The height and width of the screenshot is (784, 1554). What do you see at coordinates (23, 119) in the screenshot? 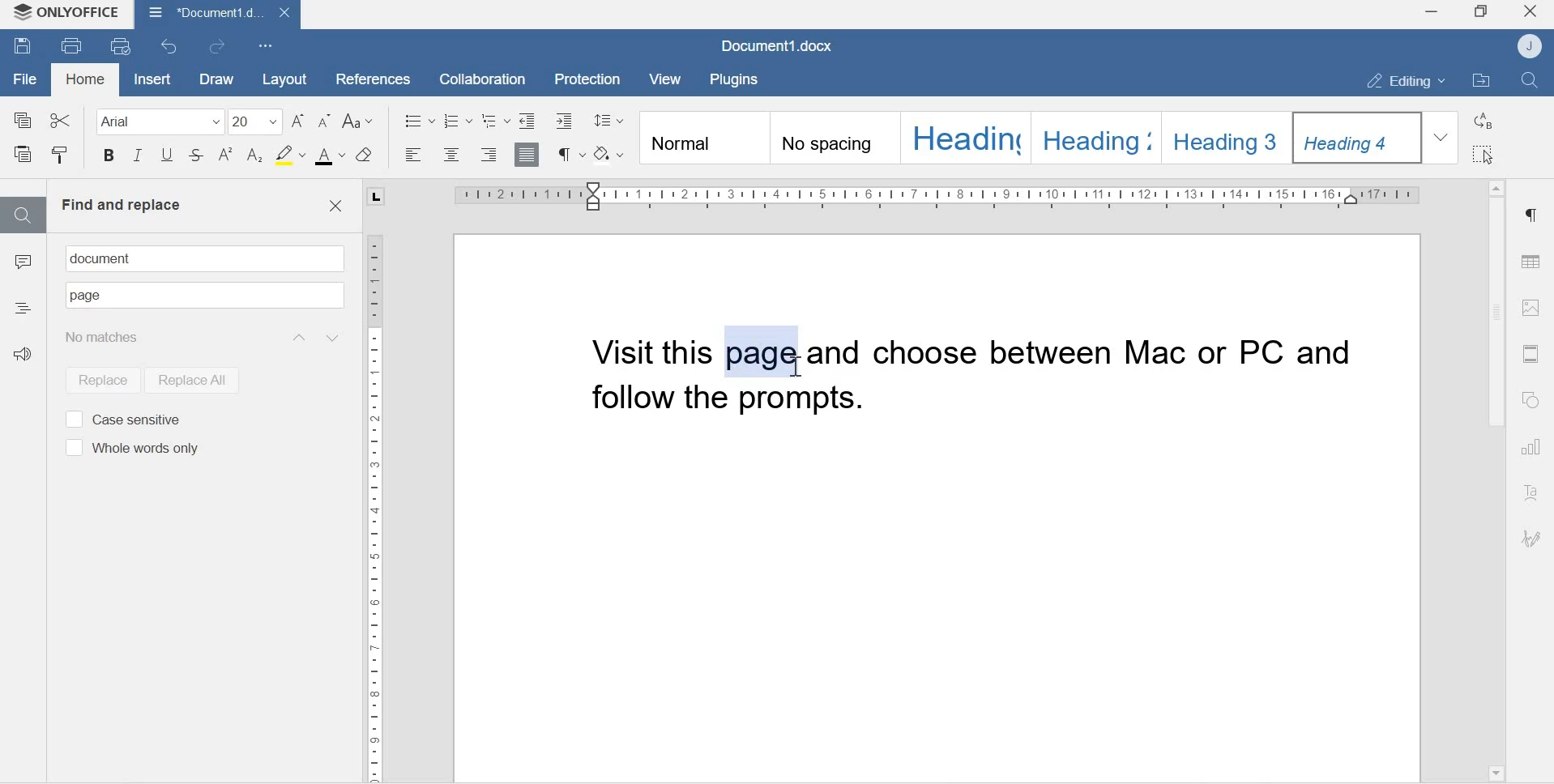
I see `Copy` at bounding box center [23, 119].